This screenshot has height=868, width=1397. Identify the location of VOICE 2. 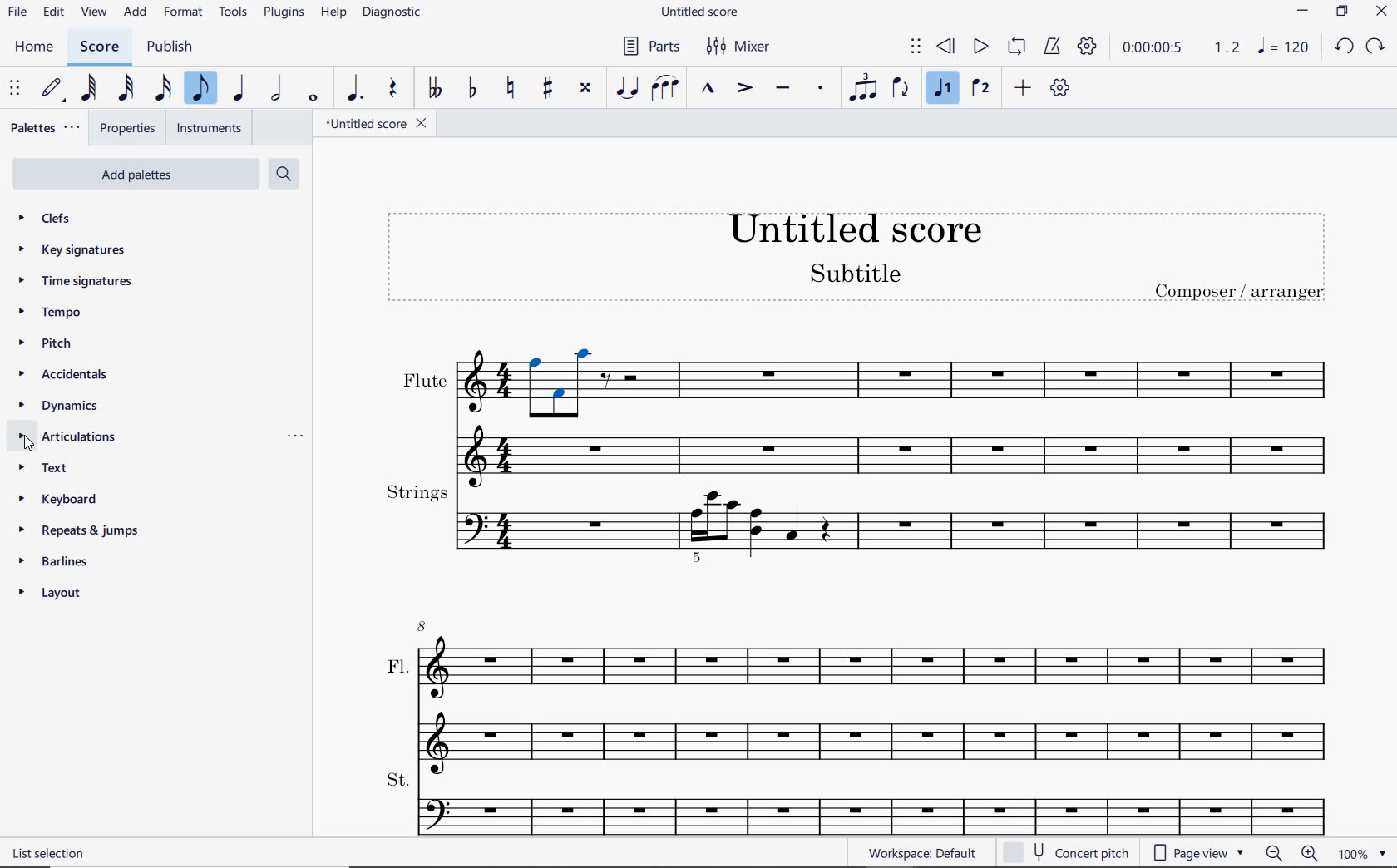
(980, 89).